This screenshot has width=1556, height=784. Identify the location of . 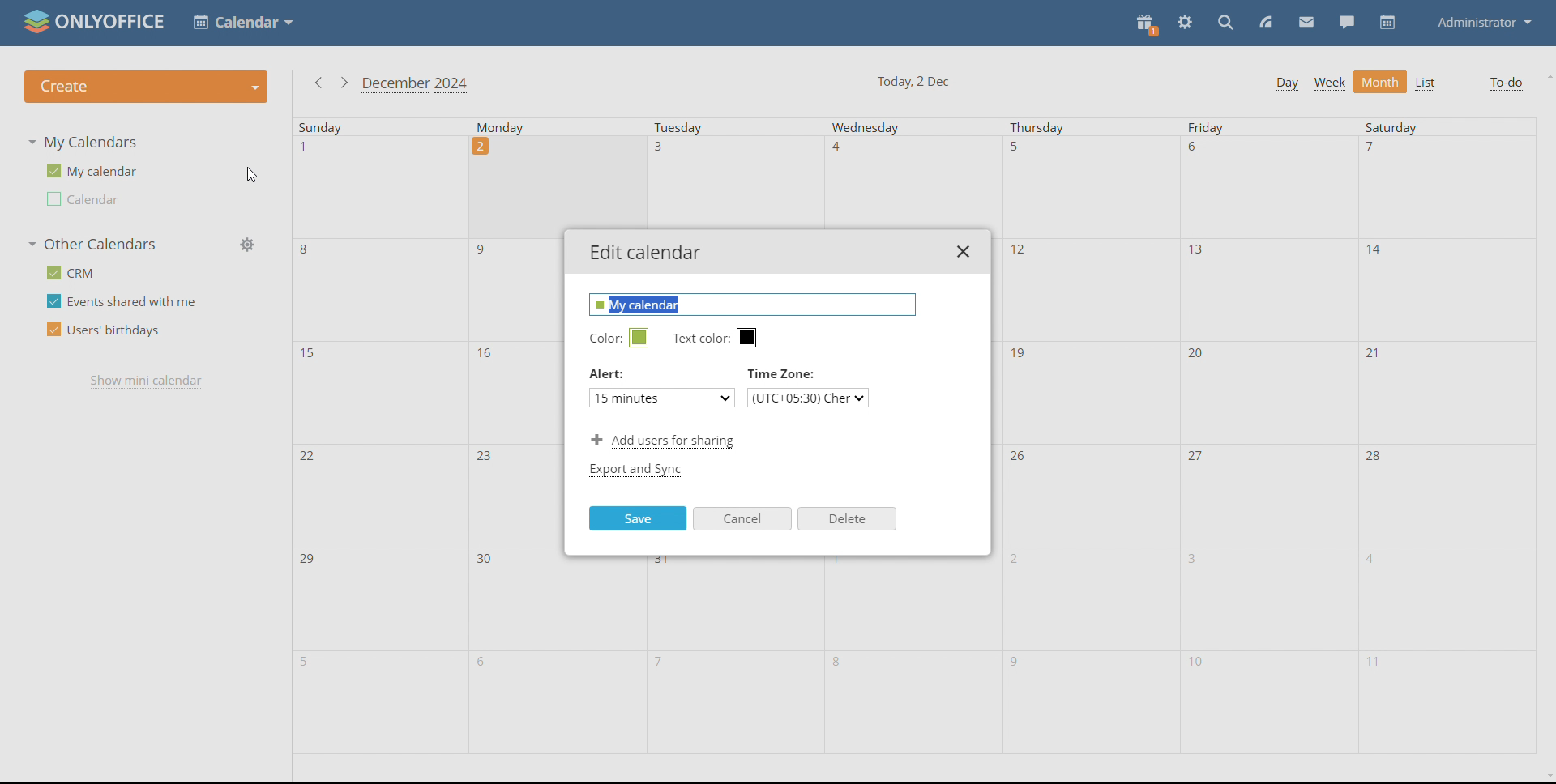
(912, 184).